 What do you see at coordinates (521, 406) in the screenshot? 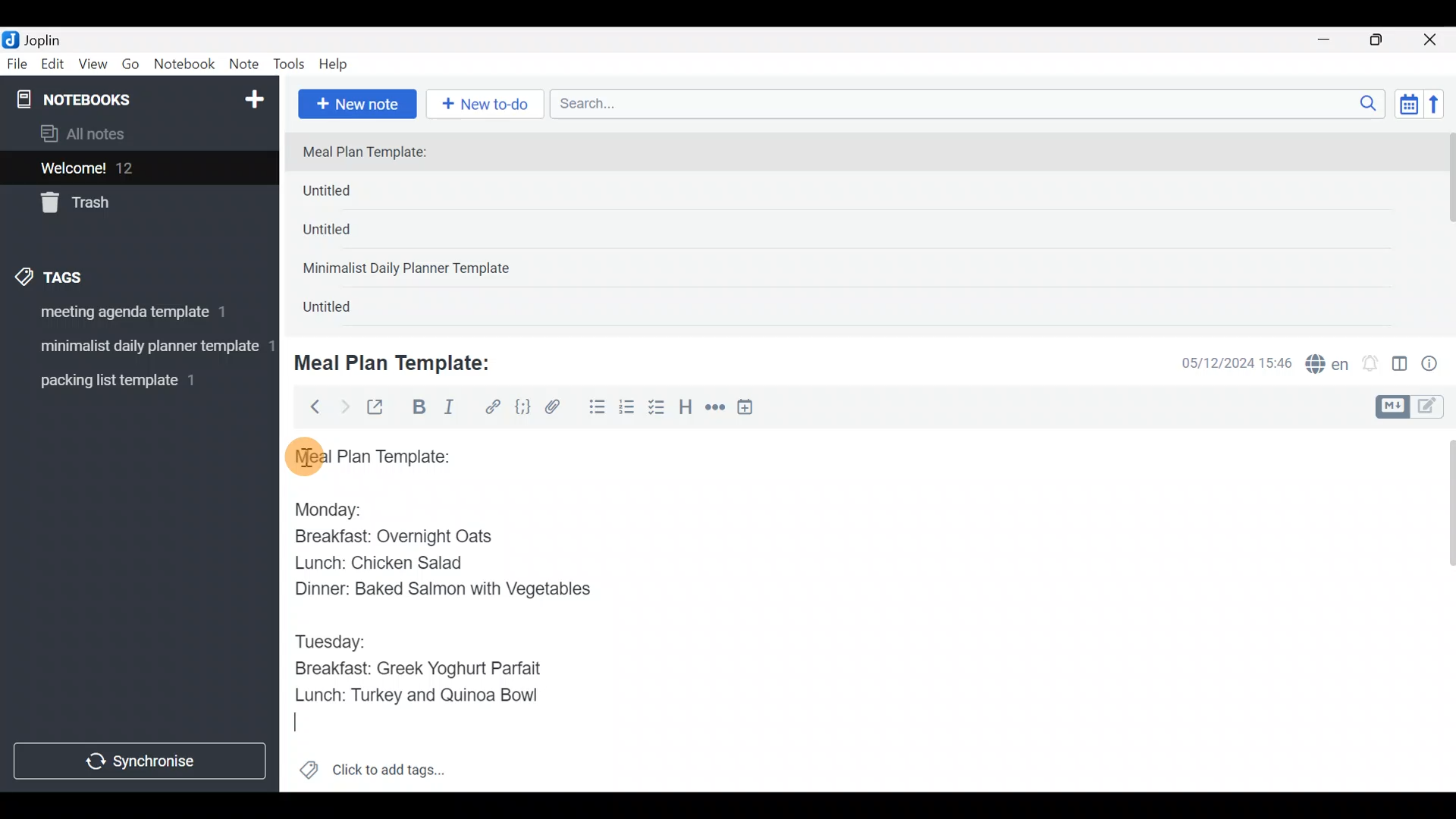
I see `Code` at bounding box center [521, 406].